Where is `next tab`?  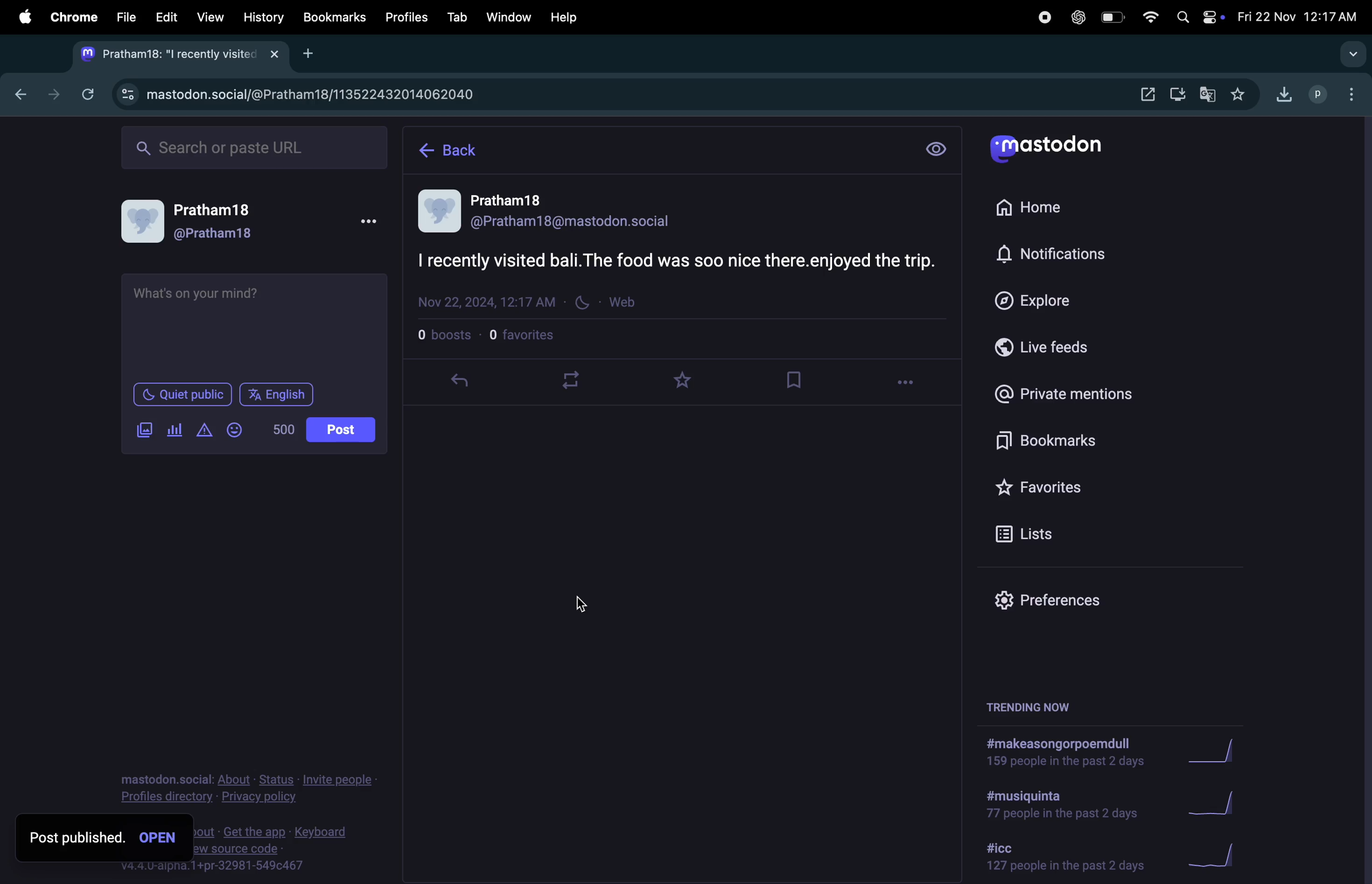 next tab is located at coordinates (50, 95).